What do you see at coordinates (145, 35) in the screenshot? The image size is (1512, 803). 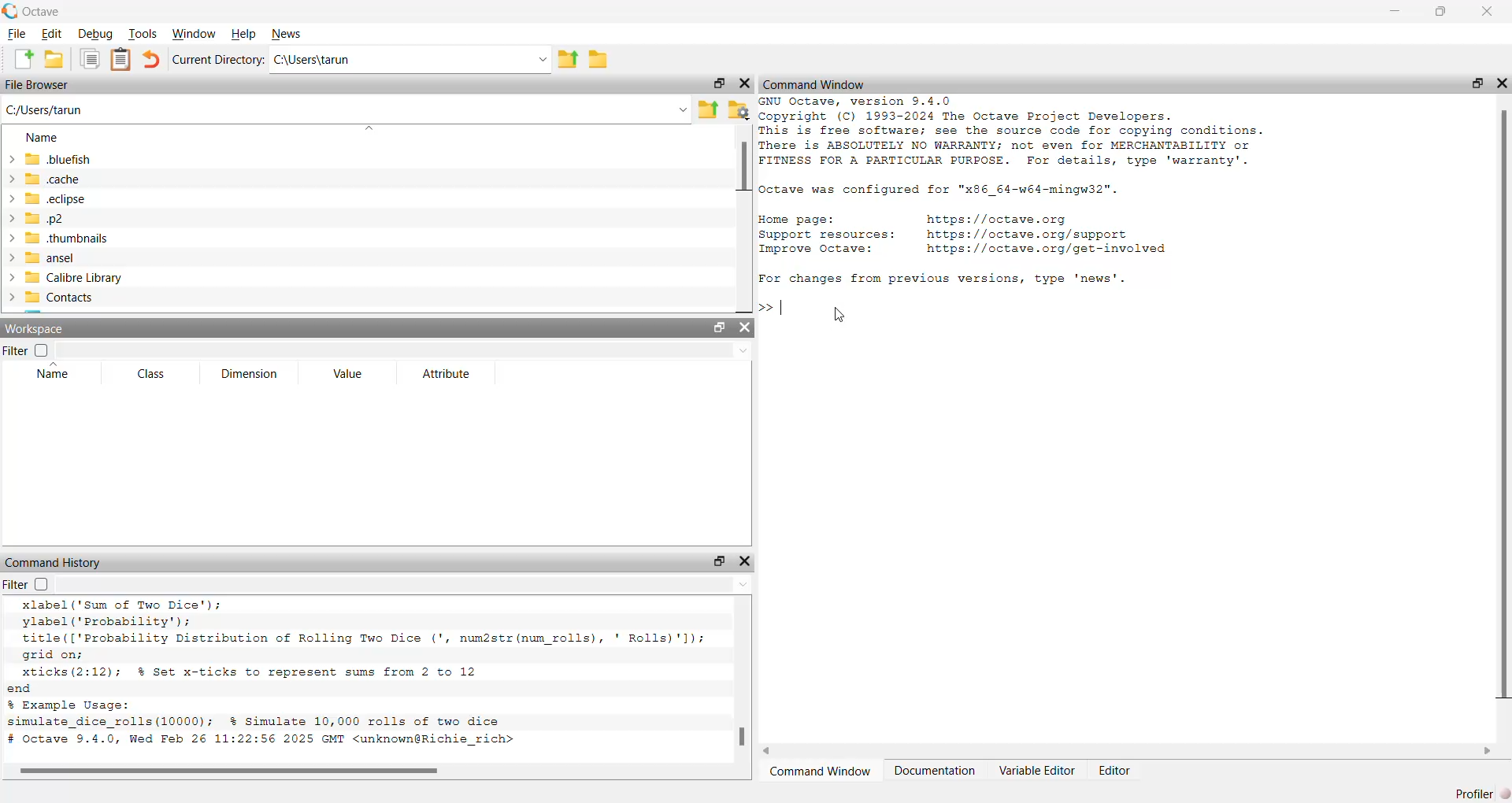 I see `Tools` at bounding box center [145, 35].